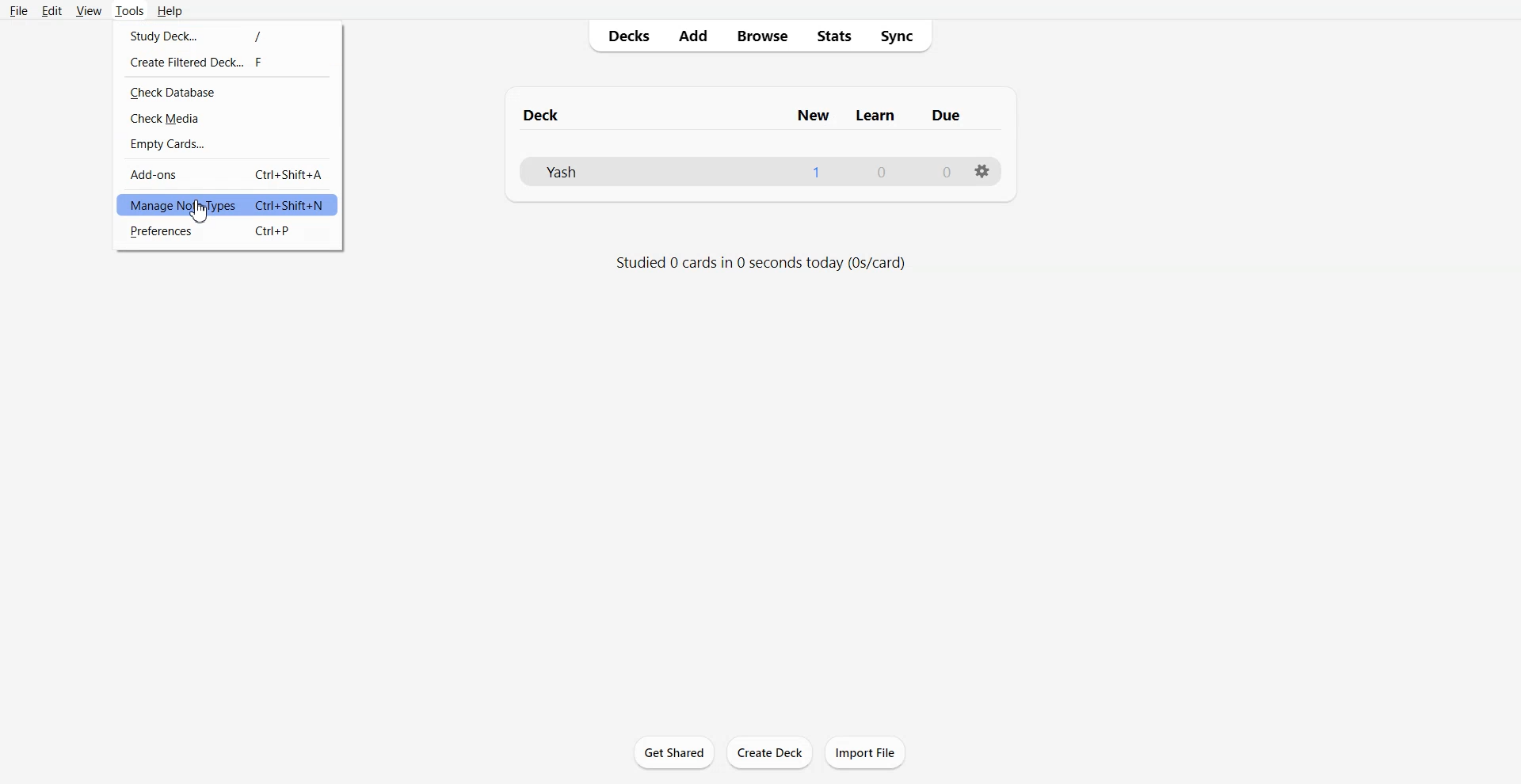 Image resolution: width=1521 pixels, height=784 pixels. What do you see at coordinates (227, 232) in the screenshot?
I see `Preferences` at bounding box center [227, 232].